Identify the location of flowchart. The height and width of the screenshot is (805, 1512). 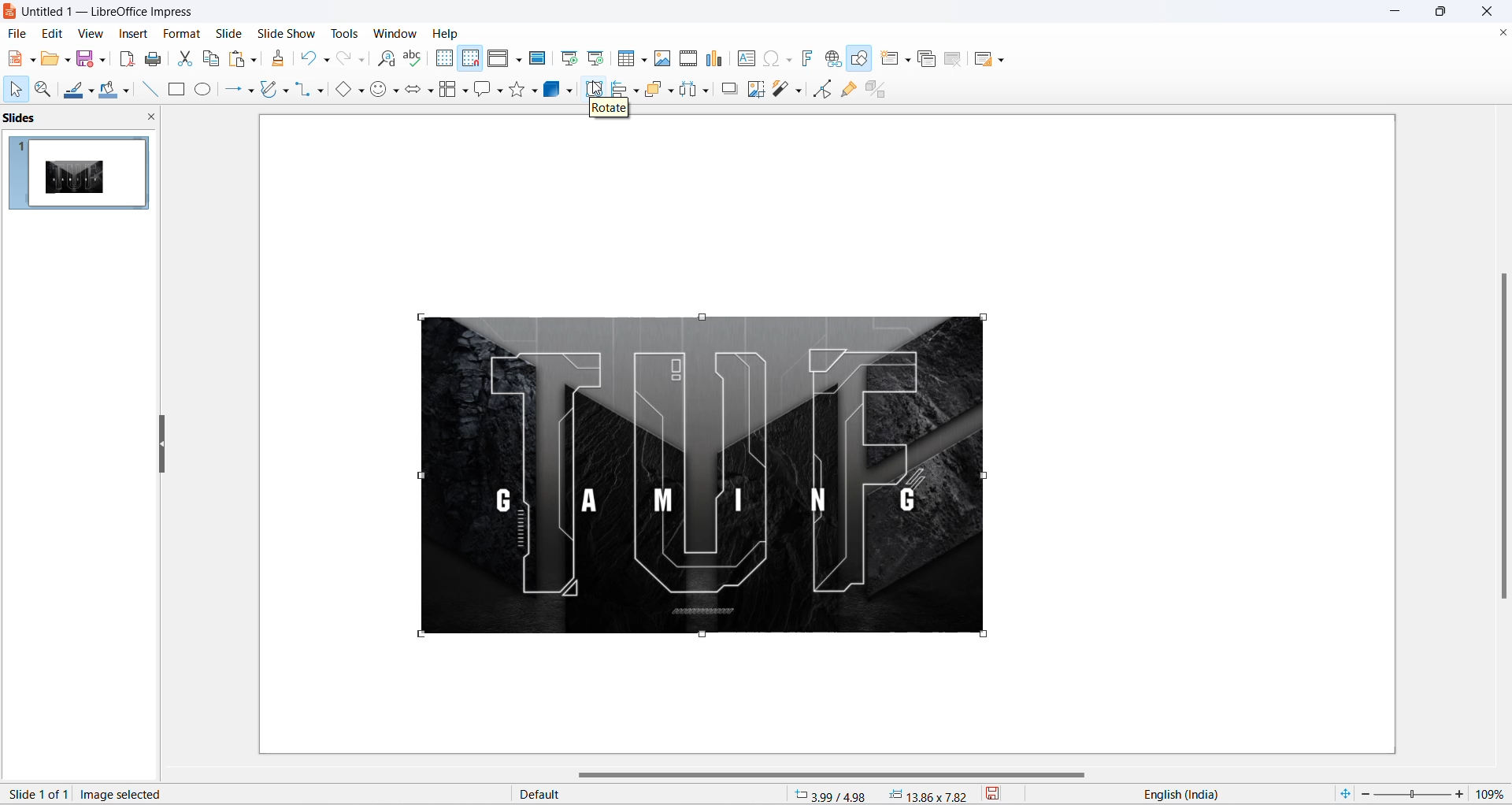
(448, 91).